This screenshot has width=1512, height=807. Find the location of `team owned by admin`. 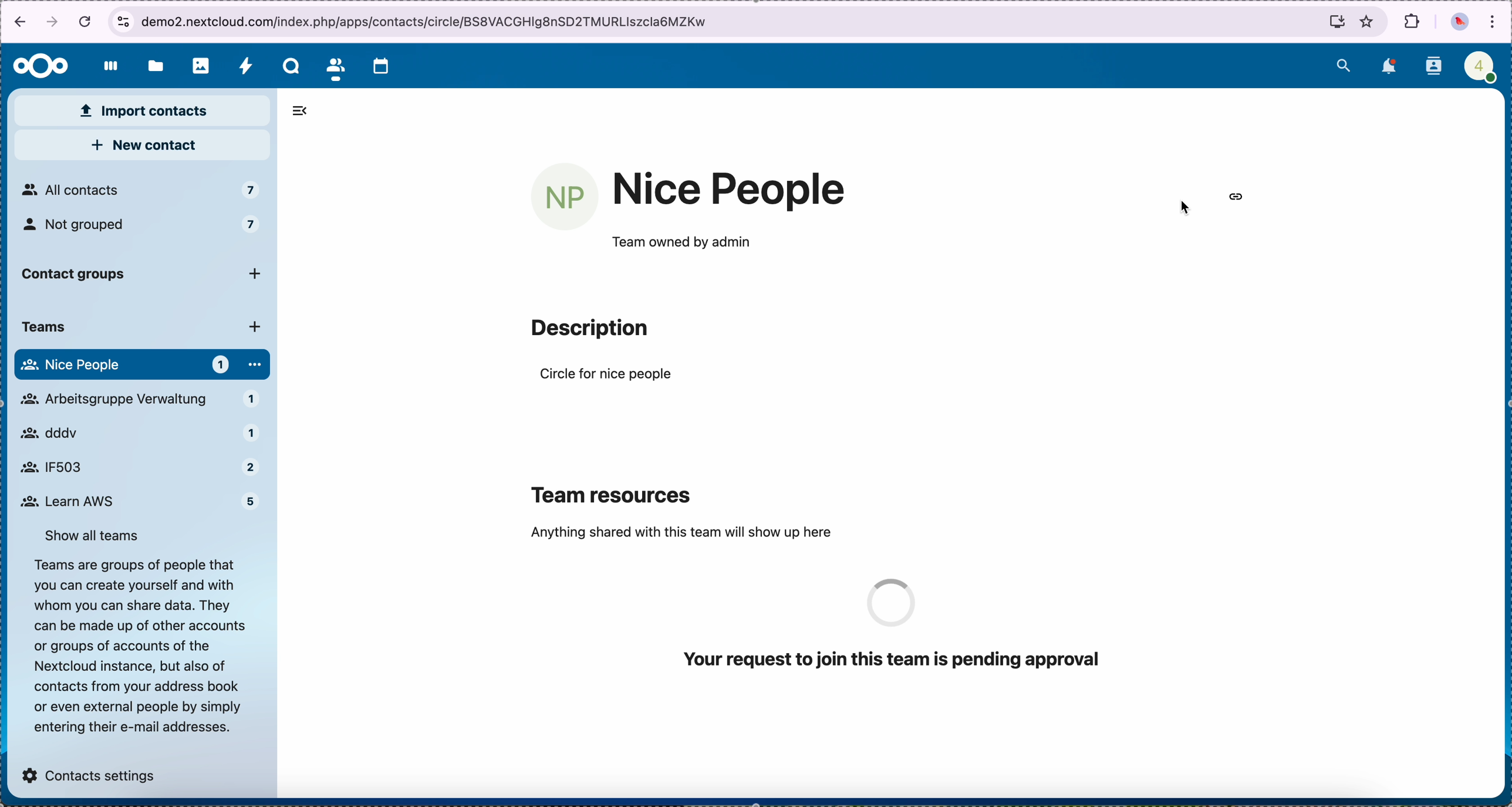

team owned by admin is located at coordinates (680, 243).